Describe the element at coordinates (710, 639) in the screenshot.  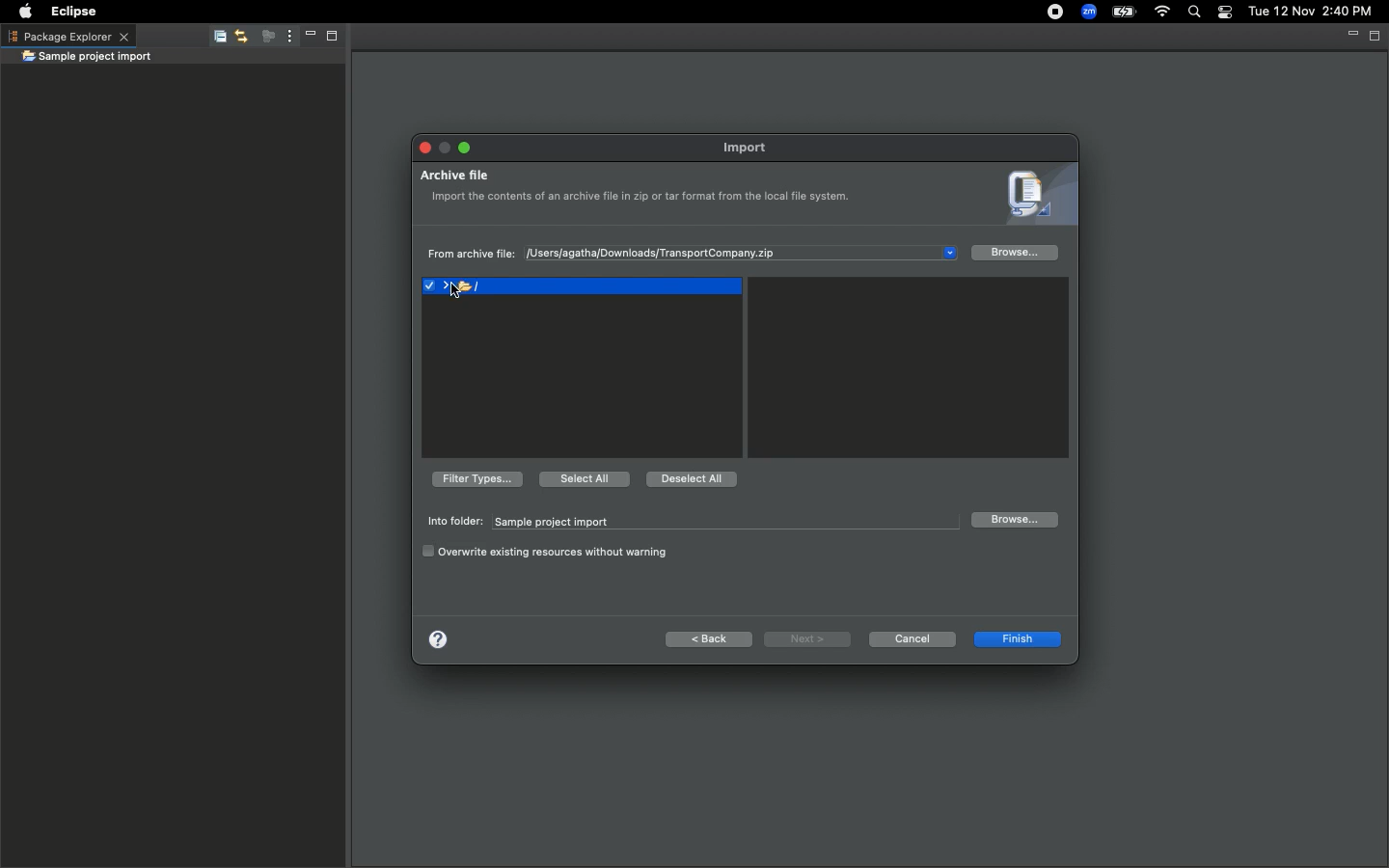
I see `Back` at that location.